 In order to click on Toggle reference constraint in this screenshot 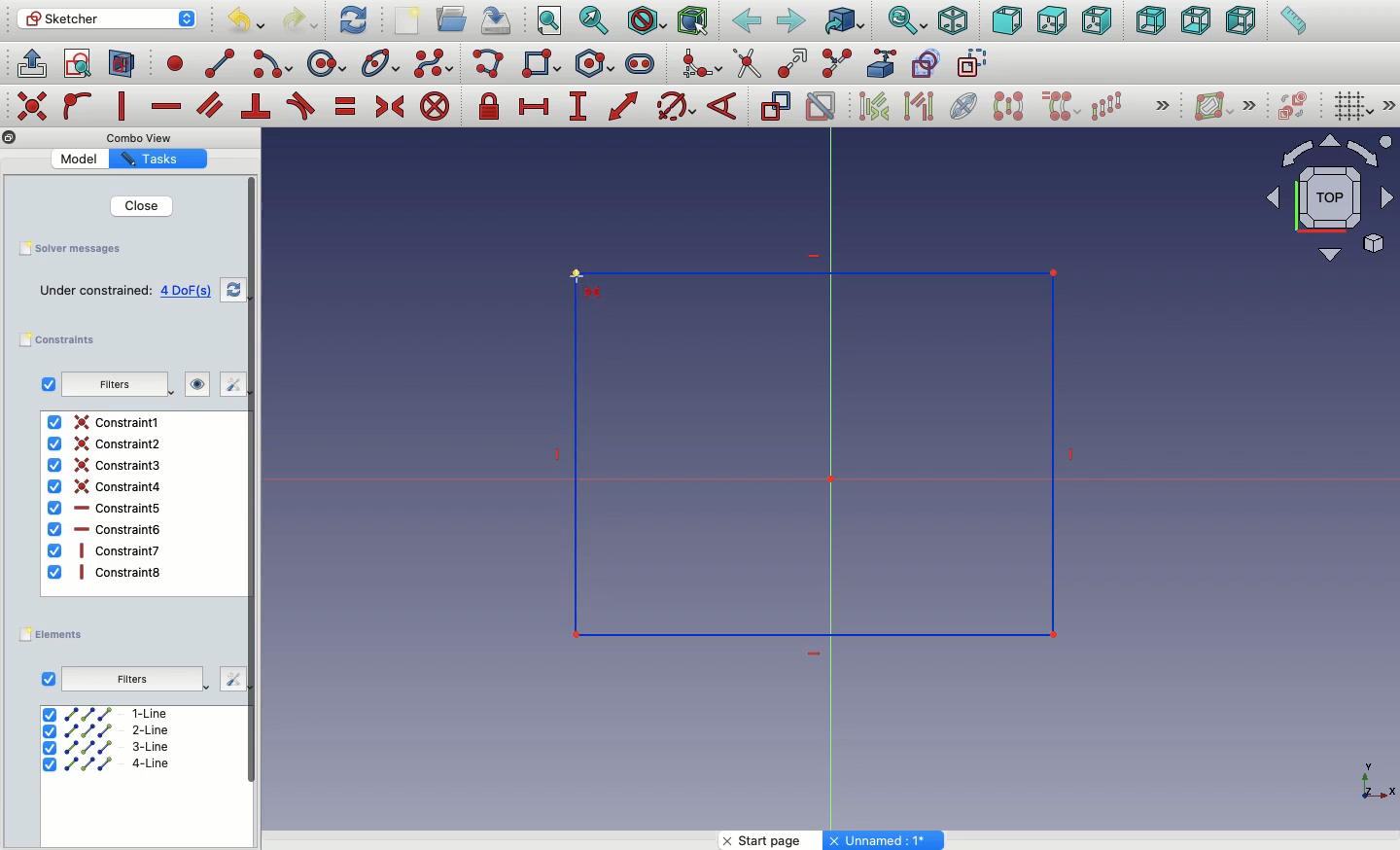, I will do `click(775, 105)`.